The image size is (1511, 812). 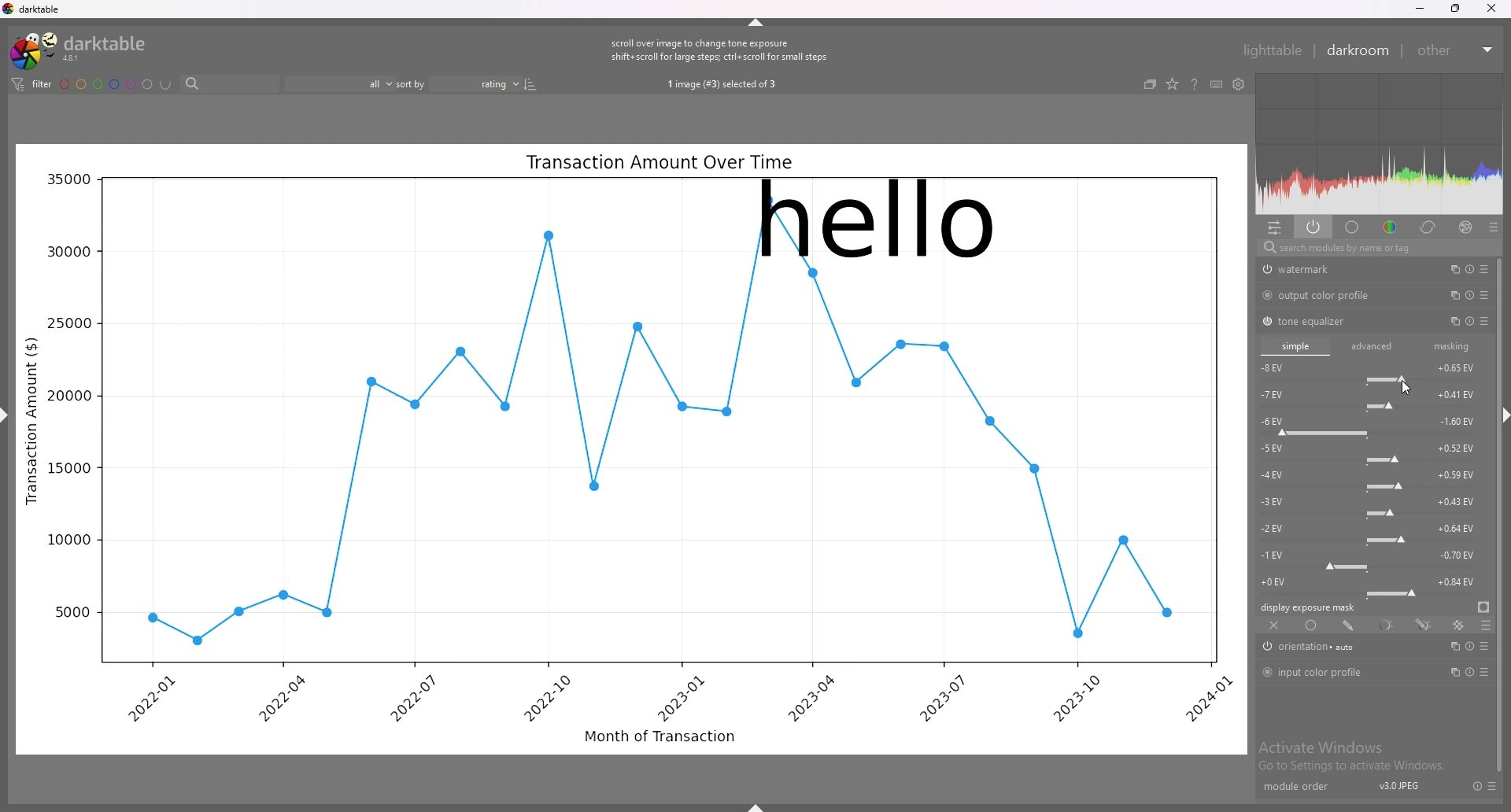 I want to click on 2022-07, so click(x=410, y=697).